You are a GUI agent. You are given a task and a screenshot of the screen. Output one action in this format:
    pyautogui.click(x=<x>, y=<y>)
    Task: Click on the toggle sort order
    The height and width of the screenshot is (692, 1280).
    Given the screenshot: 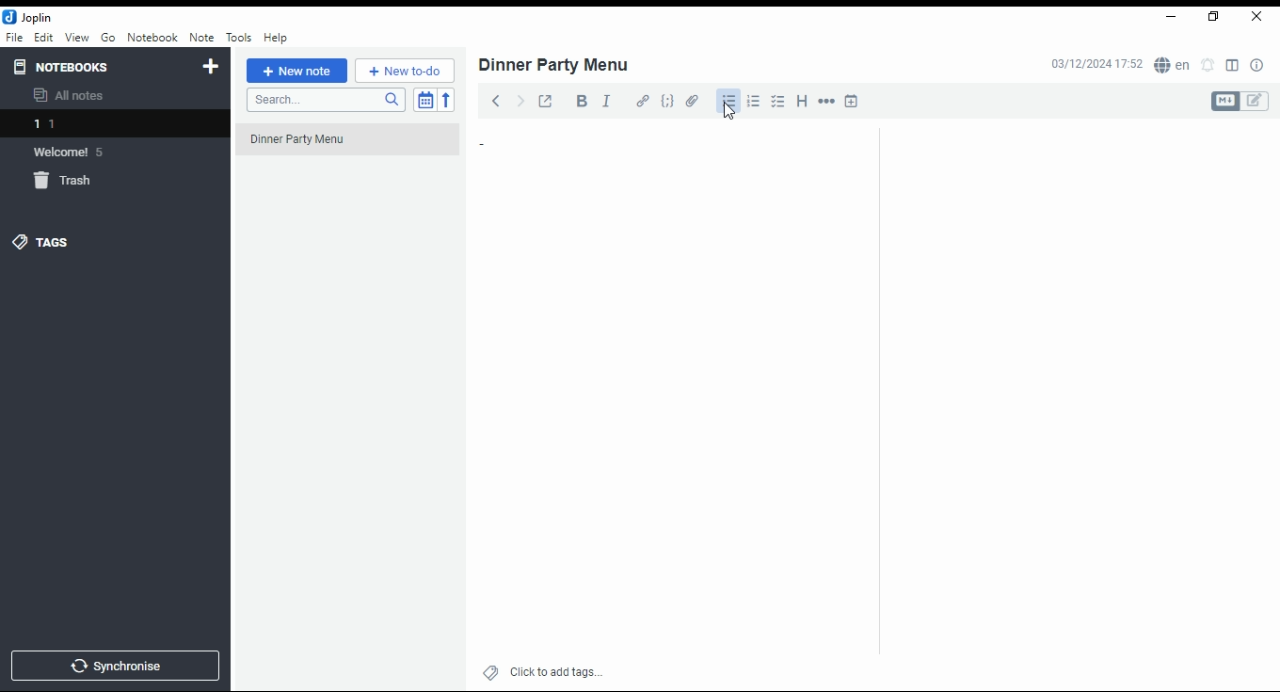 What is the action you would take?
    pyautogui.click(x=424, y=99)
    